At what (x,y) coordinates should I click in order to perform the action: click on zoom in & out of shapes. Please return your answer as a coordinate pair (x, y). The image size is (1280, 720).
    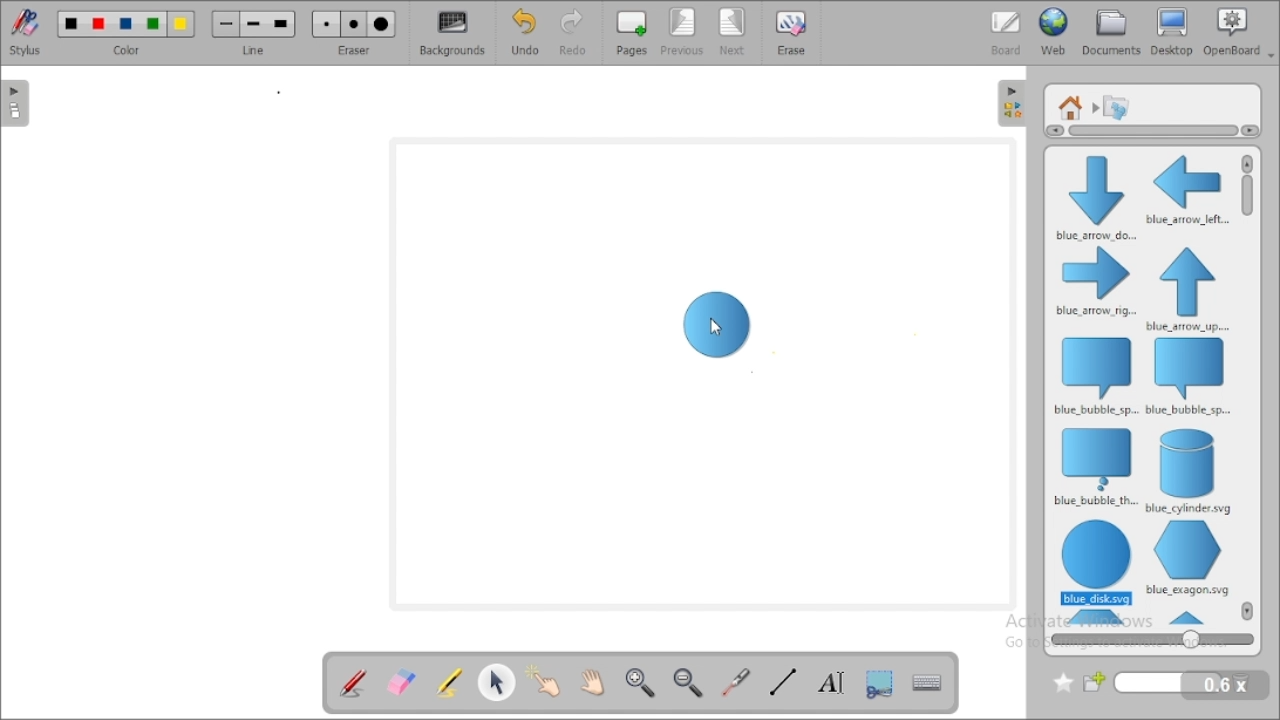
    Looking at the image, I should click on (1152, 639).